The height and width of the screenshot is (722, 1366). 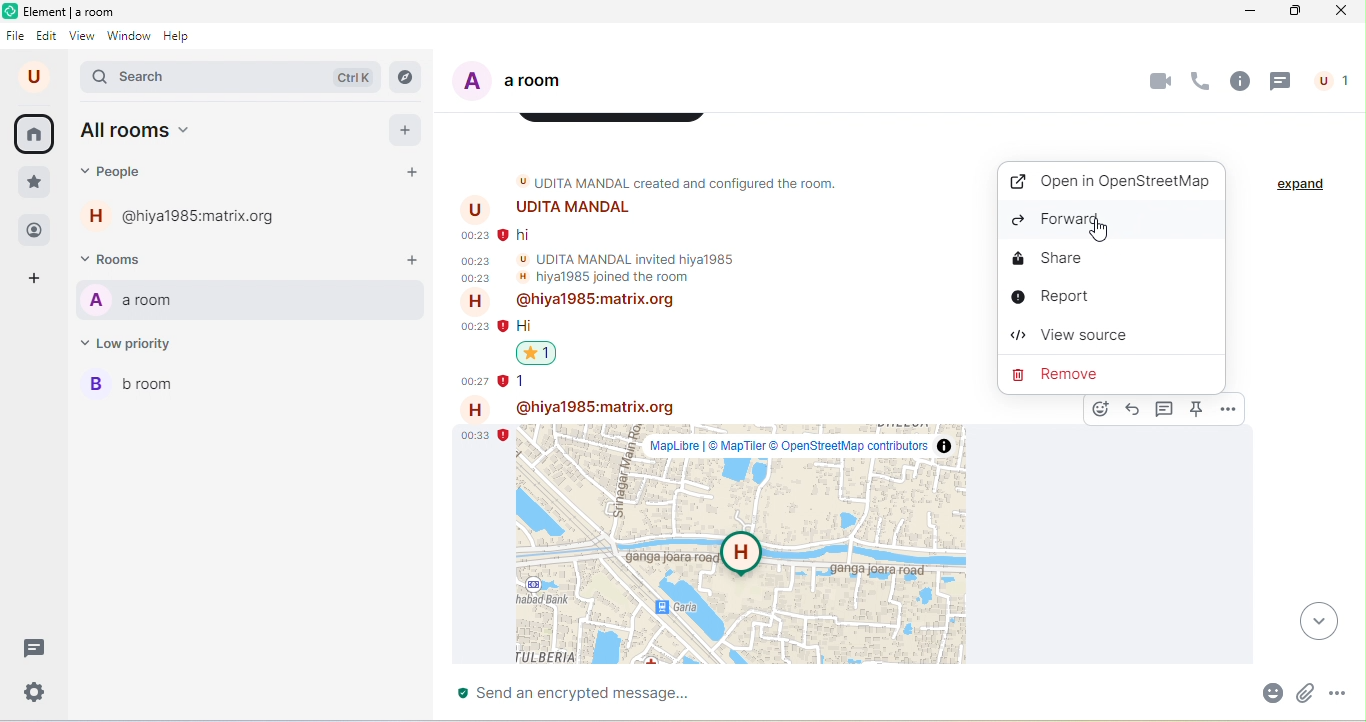 I want to click on b room, so click(x=251, y=385).